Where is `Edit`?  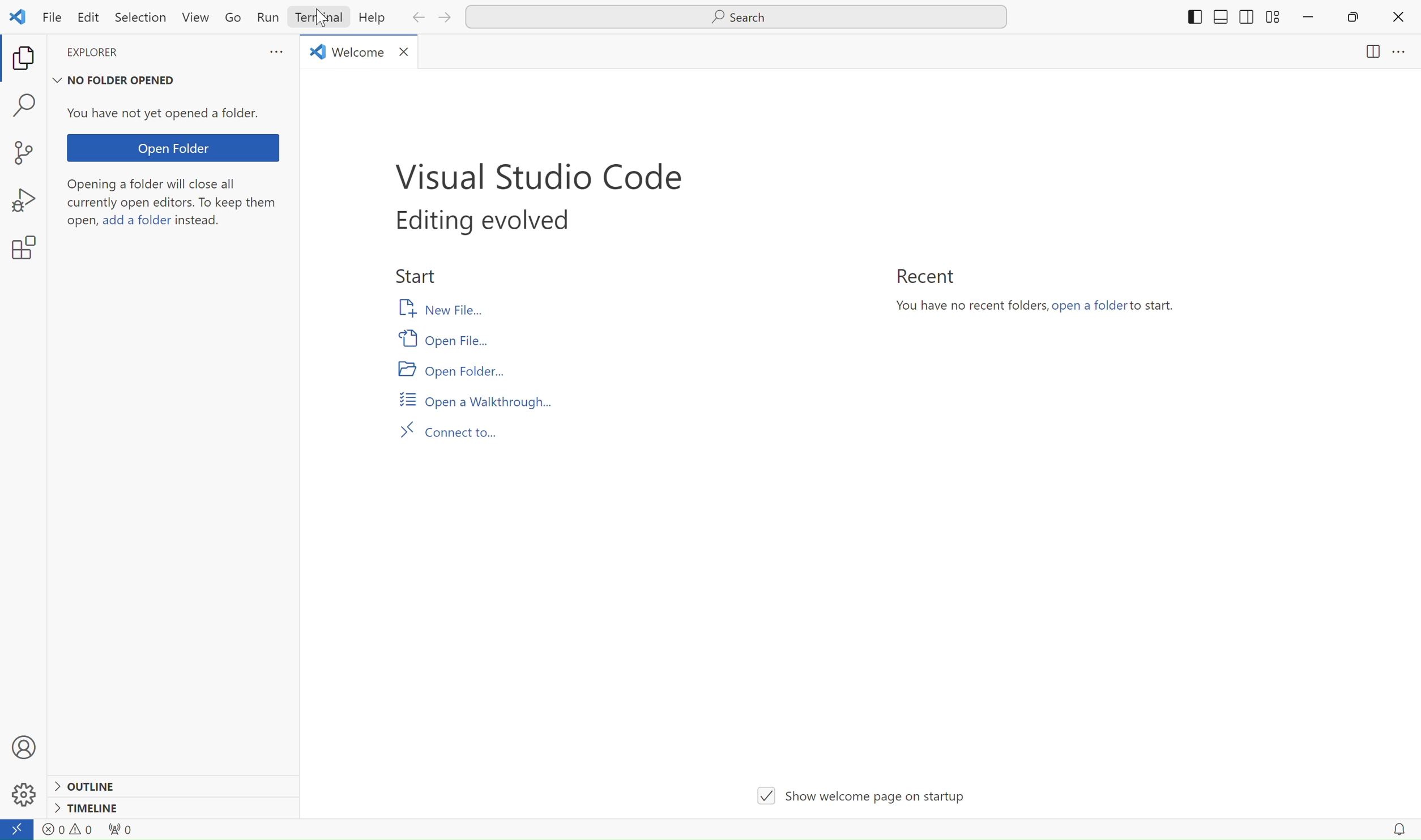 Edit is located at coordinates (89, 18).